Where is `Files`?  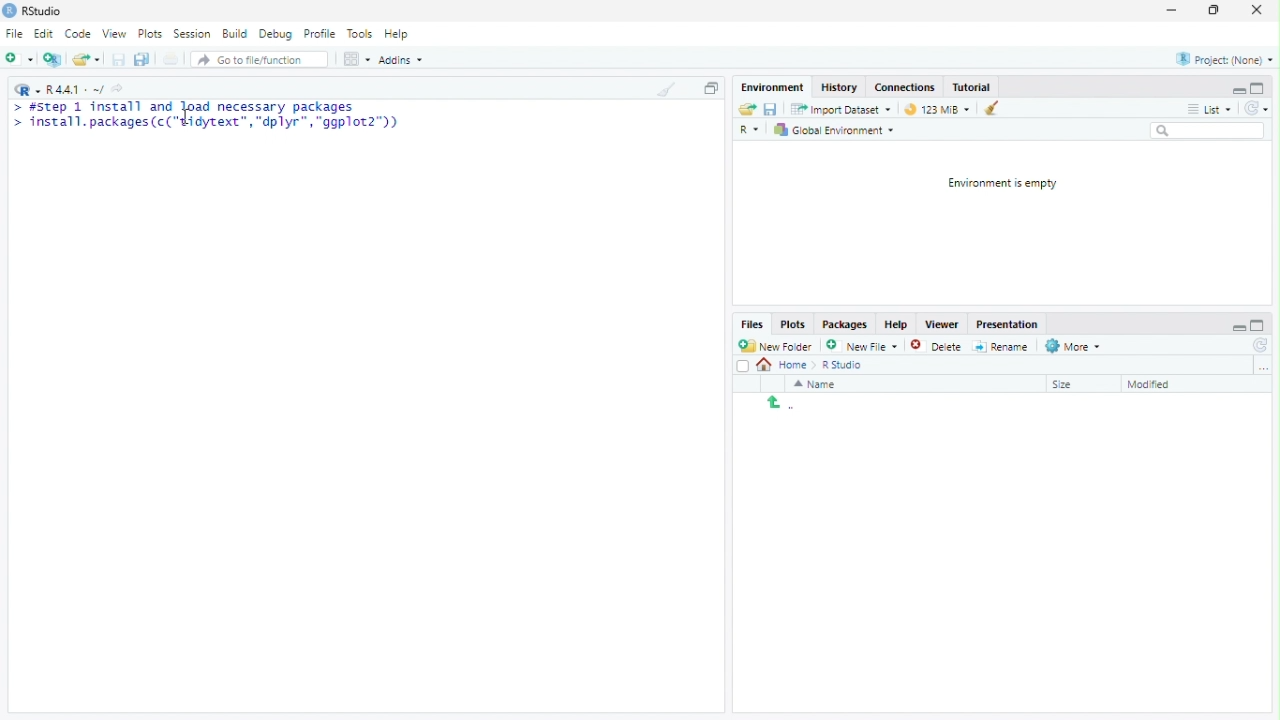 Files is located at coordinates (753, 324).